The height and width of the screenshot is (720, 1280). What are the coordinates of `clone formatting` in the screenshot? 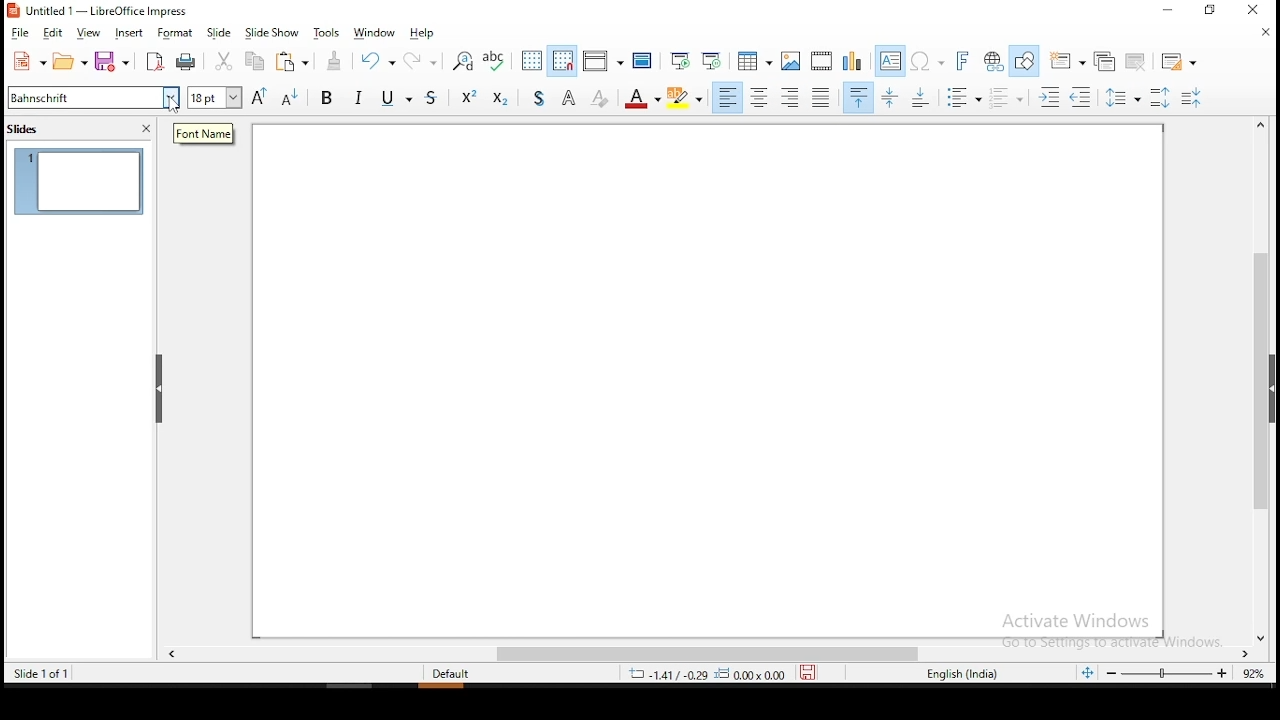 It's located at (339, 63).